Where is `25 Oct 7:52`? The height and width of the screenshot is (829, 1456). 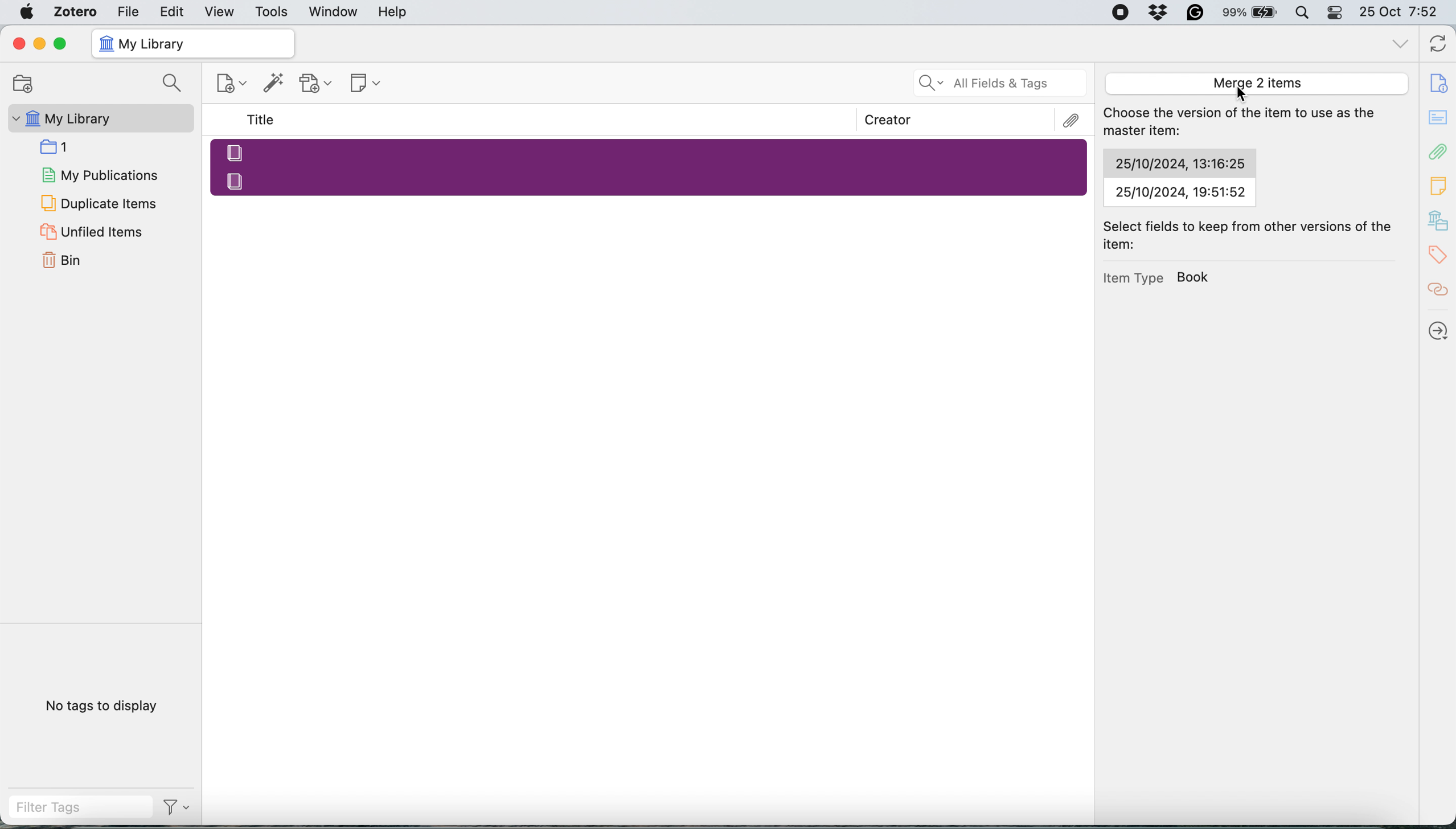 25 Oct 7:52 is located at coordinates (1404, 13).